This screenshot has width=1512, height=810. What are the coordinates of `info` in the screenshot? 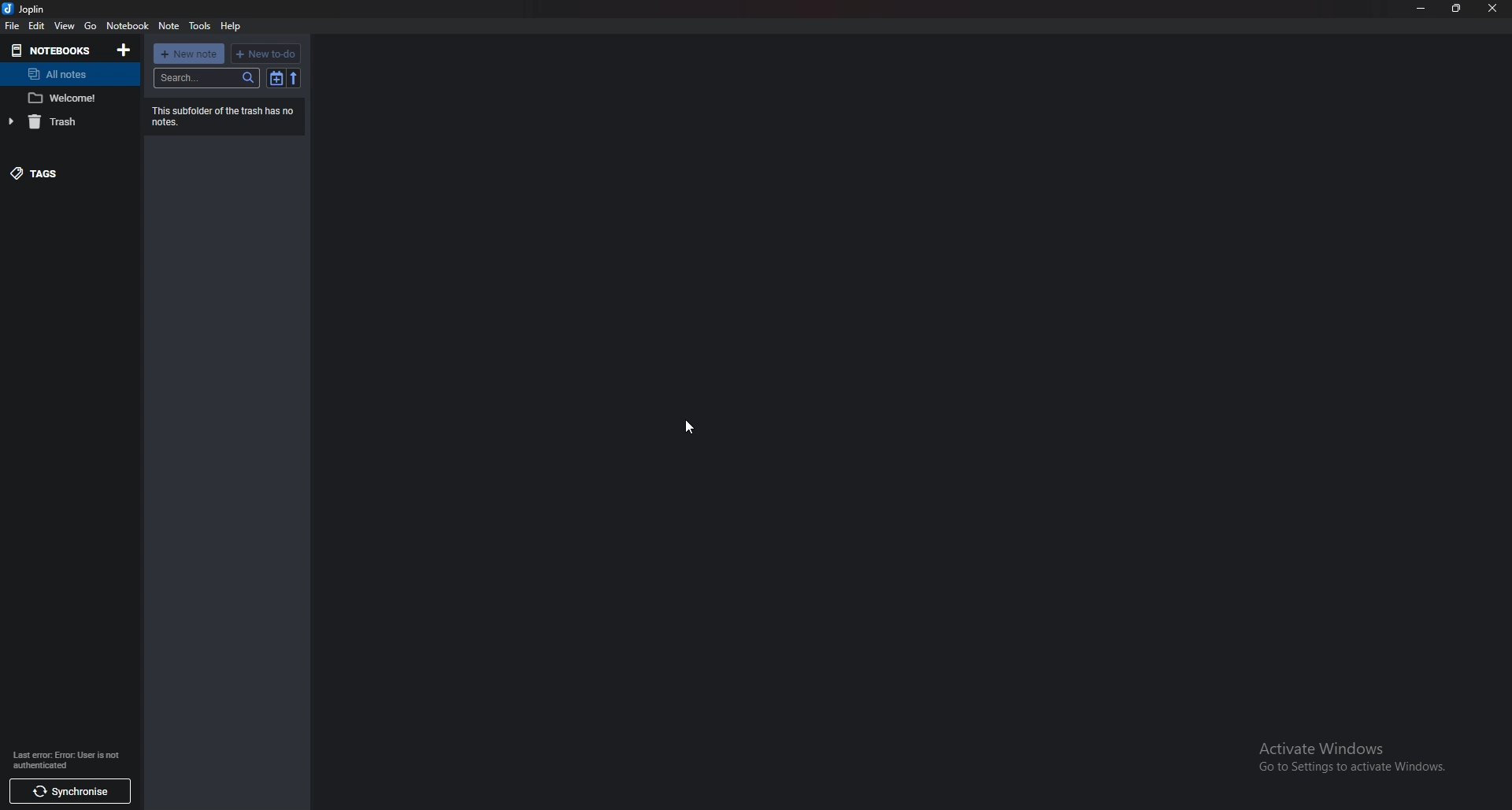 It's located at (69, 759).